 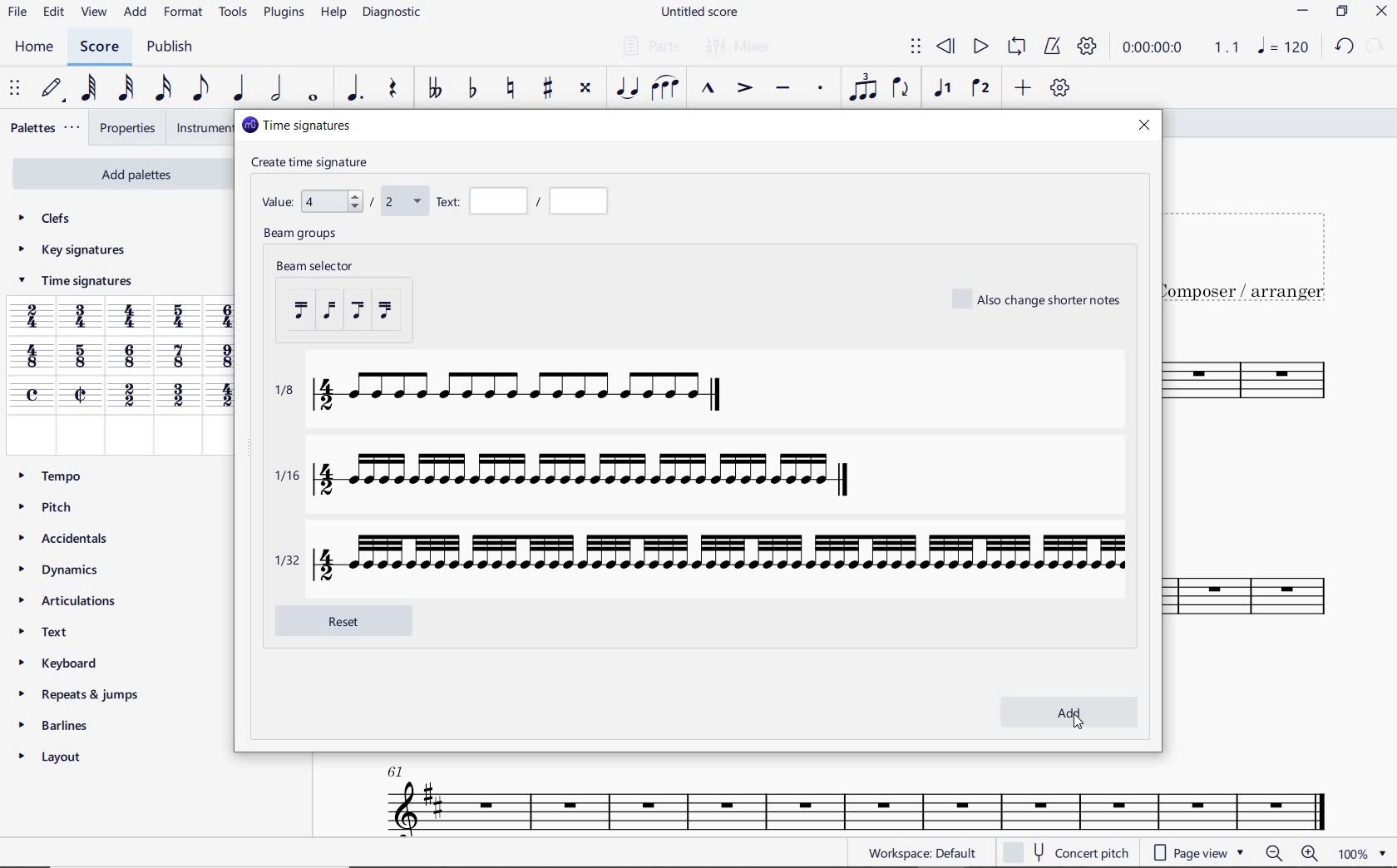 What do you see at coordinates (1196, 852) in the screenshot?
I see `page view` at bounding box center [1196, 852].